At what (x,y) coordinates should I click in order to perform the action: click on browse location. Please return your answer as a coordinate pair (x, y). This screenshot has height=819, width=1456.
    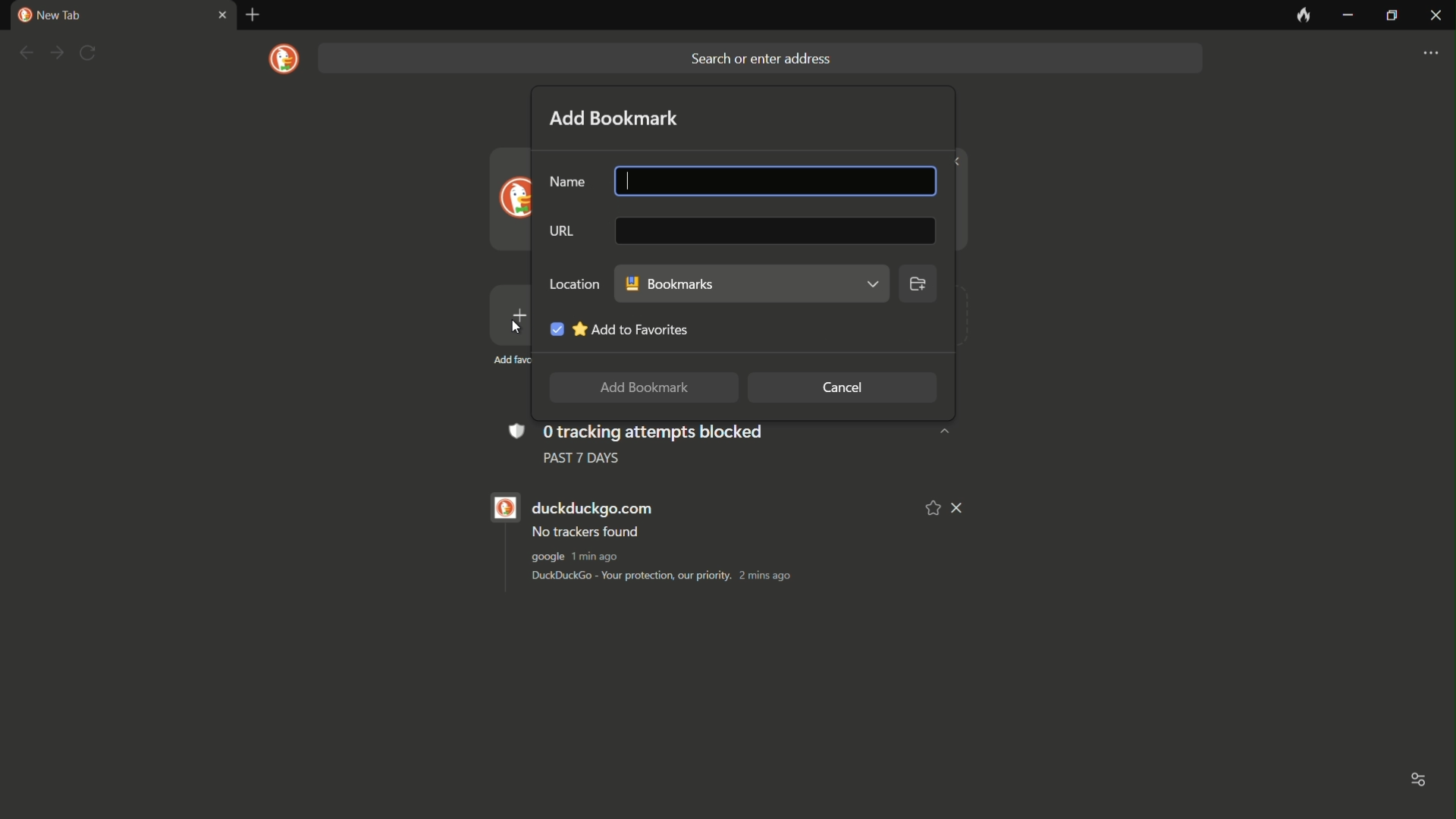
    Looking at the image, I should click on (918, 287).